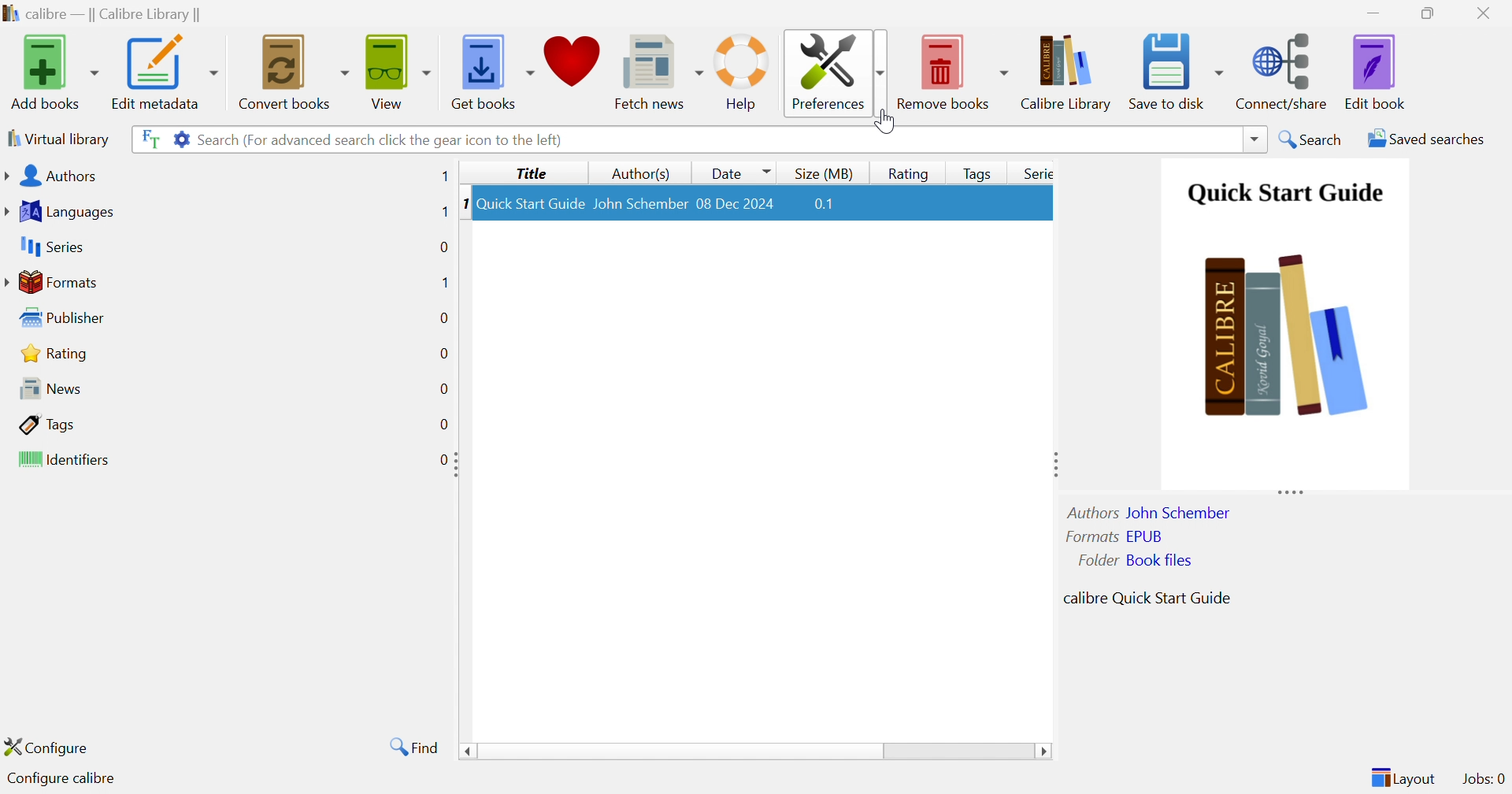 The width and height of the screenshot is (1512, 794). What do you see at coordinates (395, 69) in the screenshot?
I see `View` at bounding box center [395, 69].